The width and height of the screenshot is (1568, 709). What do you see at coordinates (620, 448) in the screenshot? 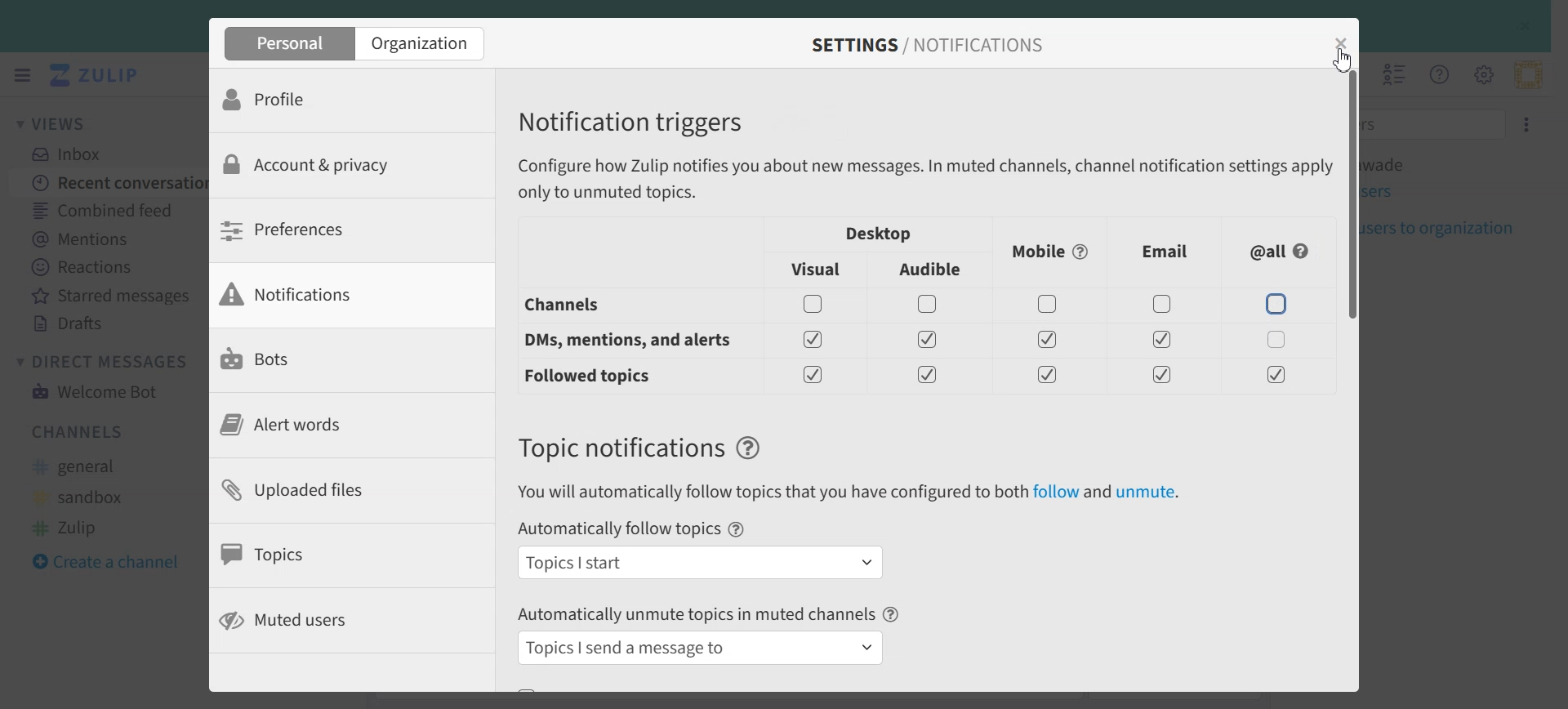
I see `Text` at bounding box center [620, 448].